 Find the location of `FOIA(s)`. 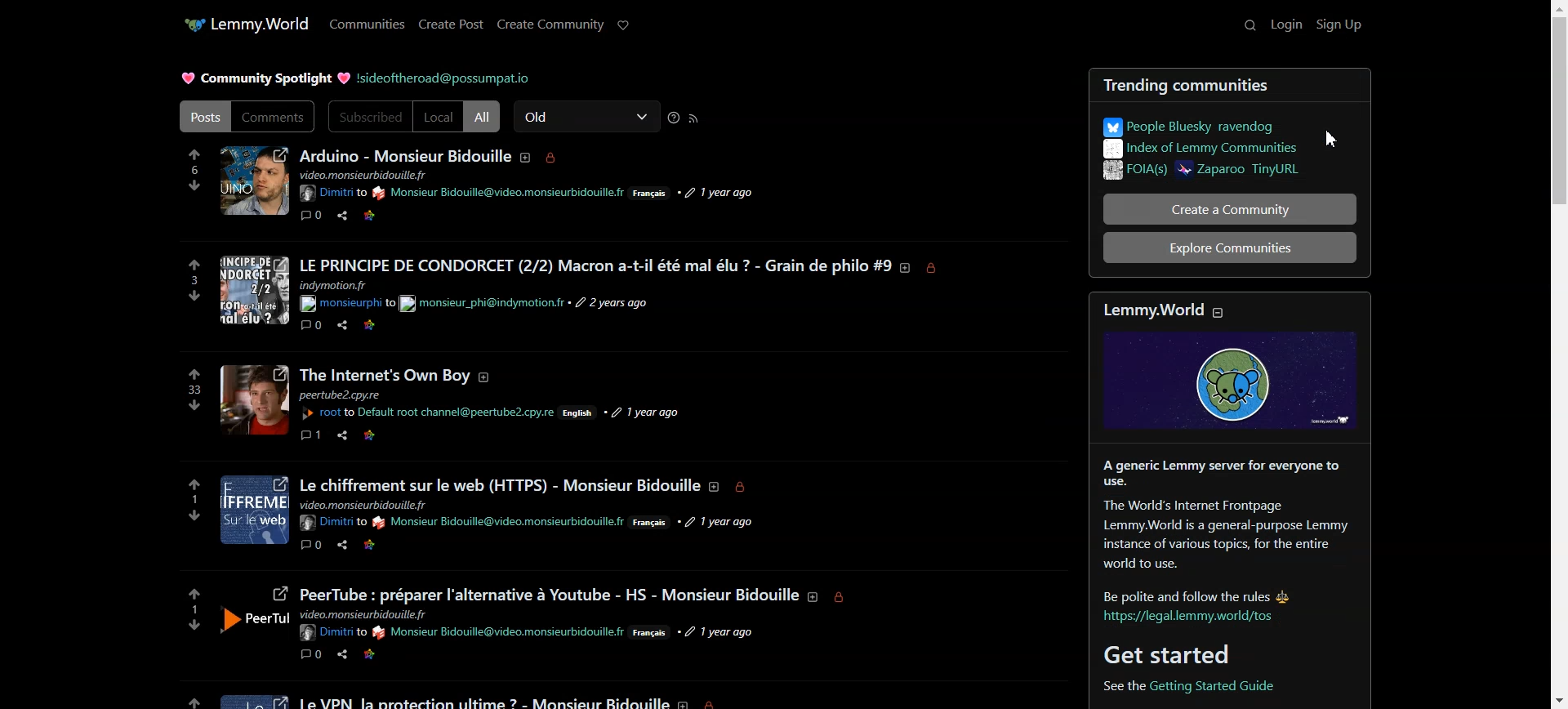

FOIA(s) is located at coordinates (1134, 172).